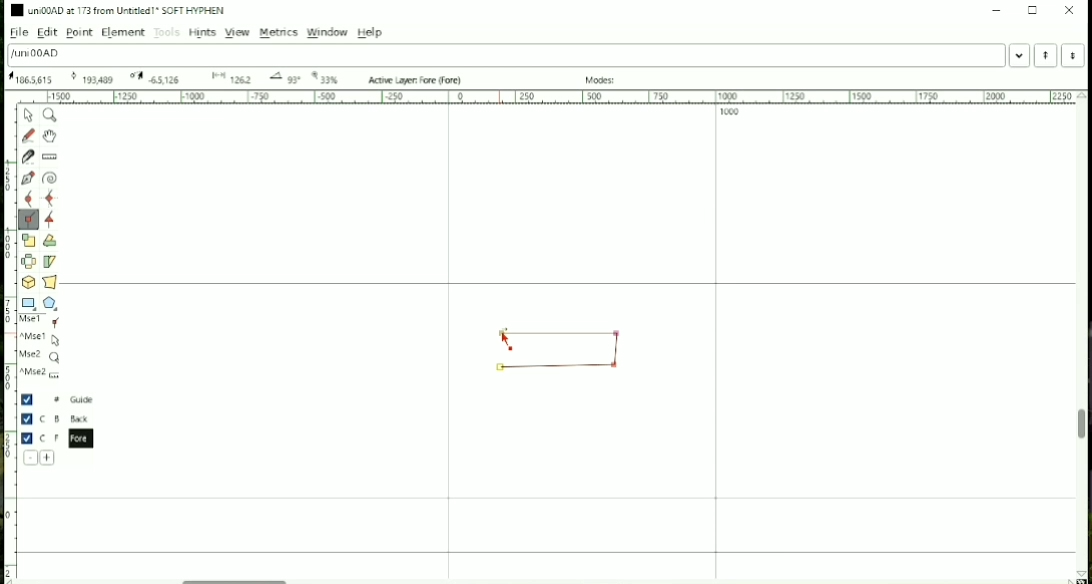 The height and width of the screenshot is (584, 1092). What do you see at coordinates (556, 370) in the screenshot?
I see `Line` at bounding box center [556, 370].